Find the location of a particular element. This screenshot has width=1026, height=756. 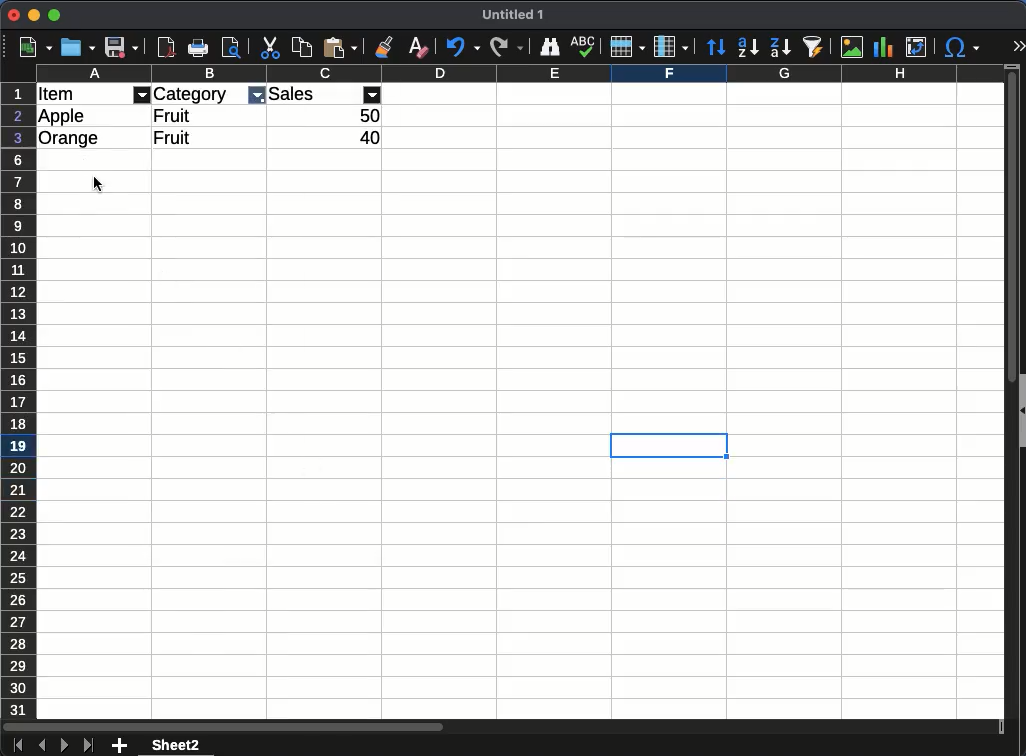

first sheet is located at coordinates (17, 746).